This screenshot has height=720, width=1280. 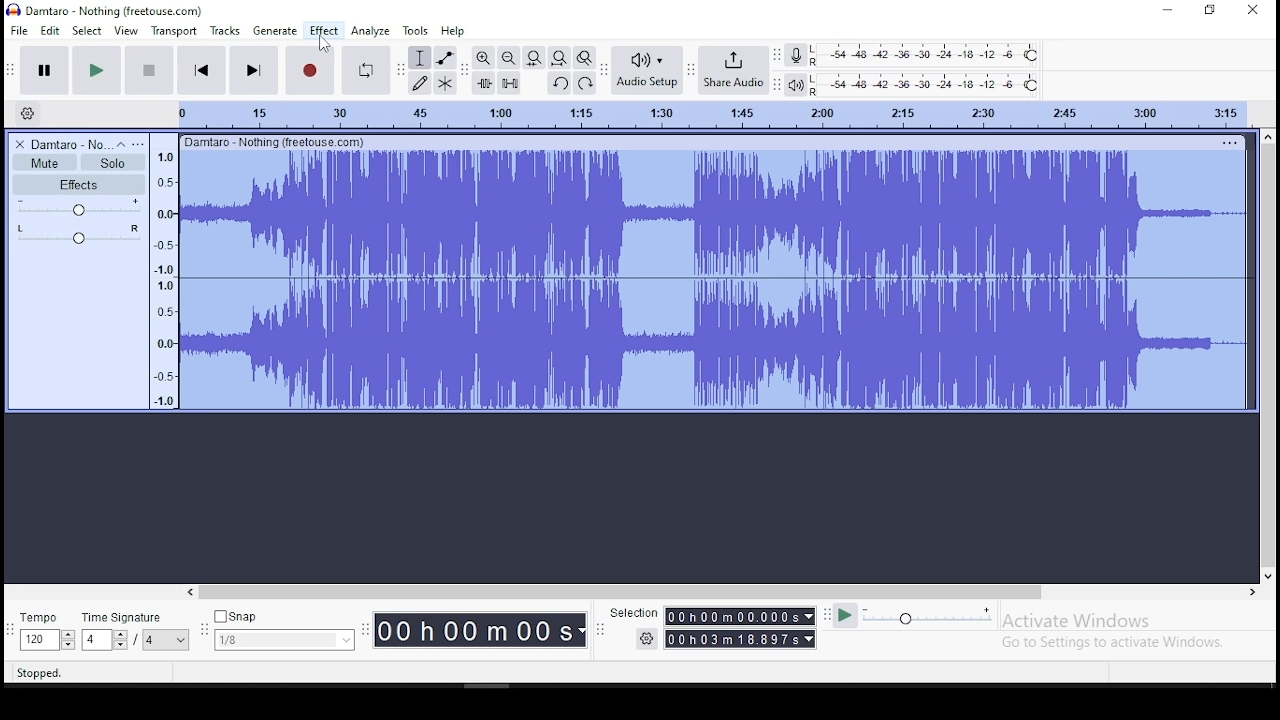 I want to click on fit file to width, so click(x=534, y=57).